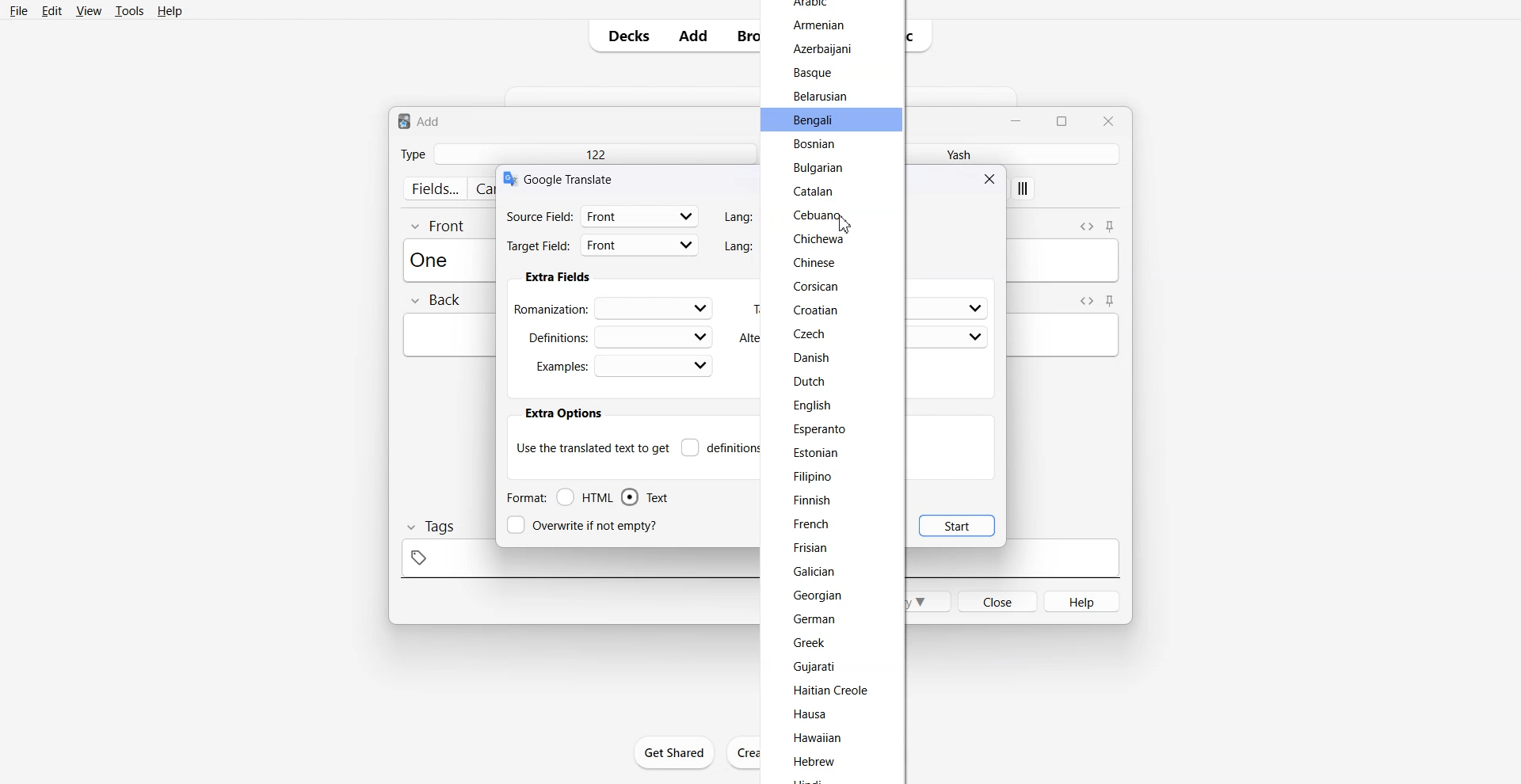  What do you see at coordinates (603, 215) in the screenshot?
I see `Source filed` at bounding box center [603, 215].